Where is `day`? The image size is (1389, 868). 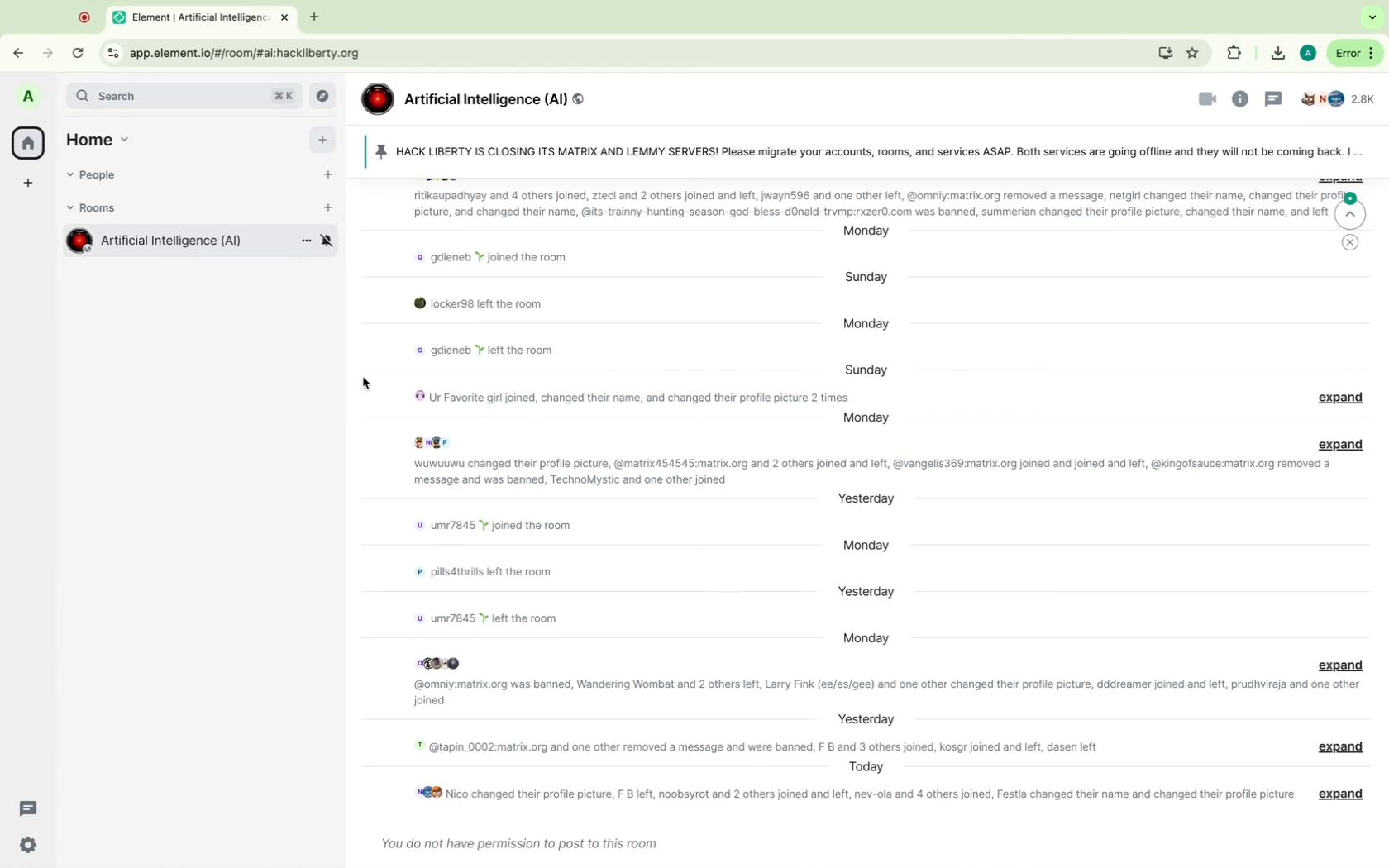 day is located at coordinates (861, 718).